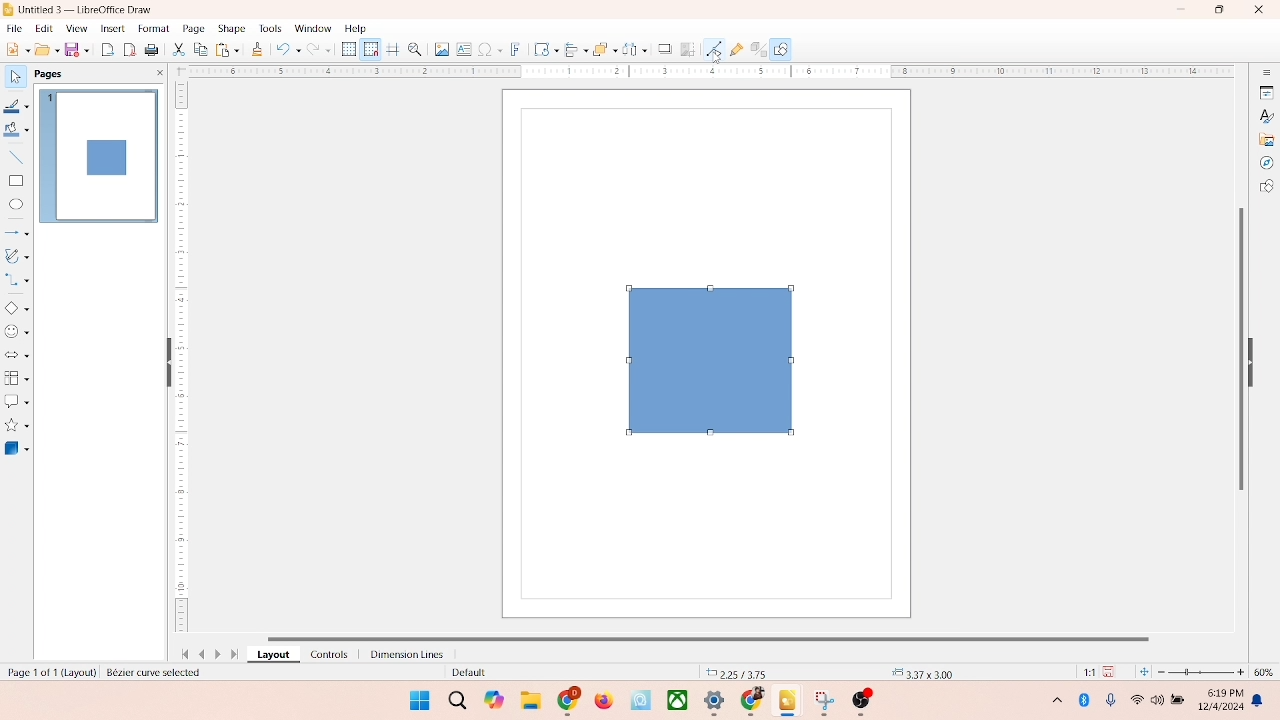 The height and width of the screenshot is (720, 1280). Describe the element at coordinates (392, 50) in the screenshot. I see `helplines` at that location.